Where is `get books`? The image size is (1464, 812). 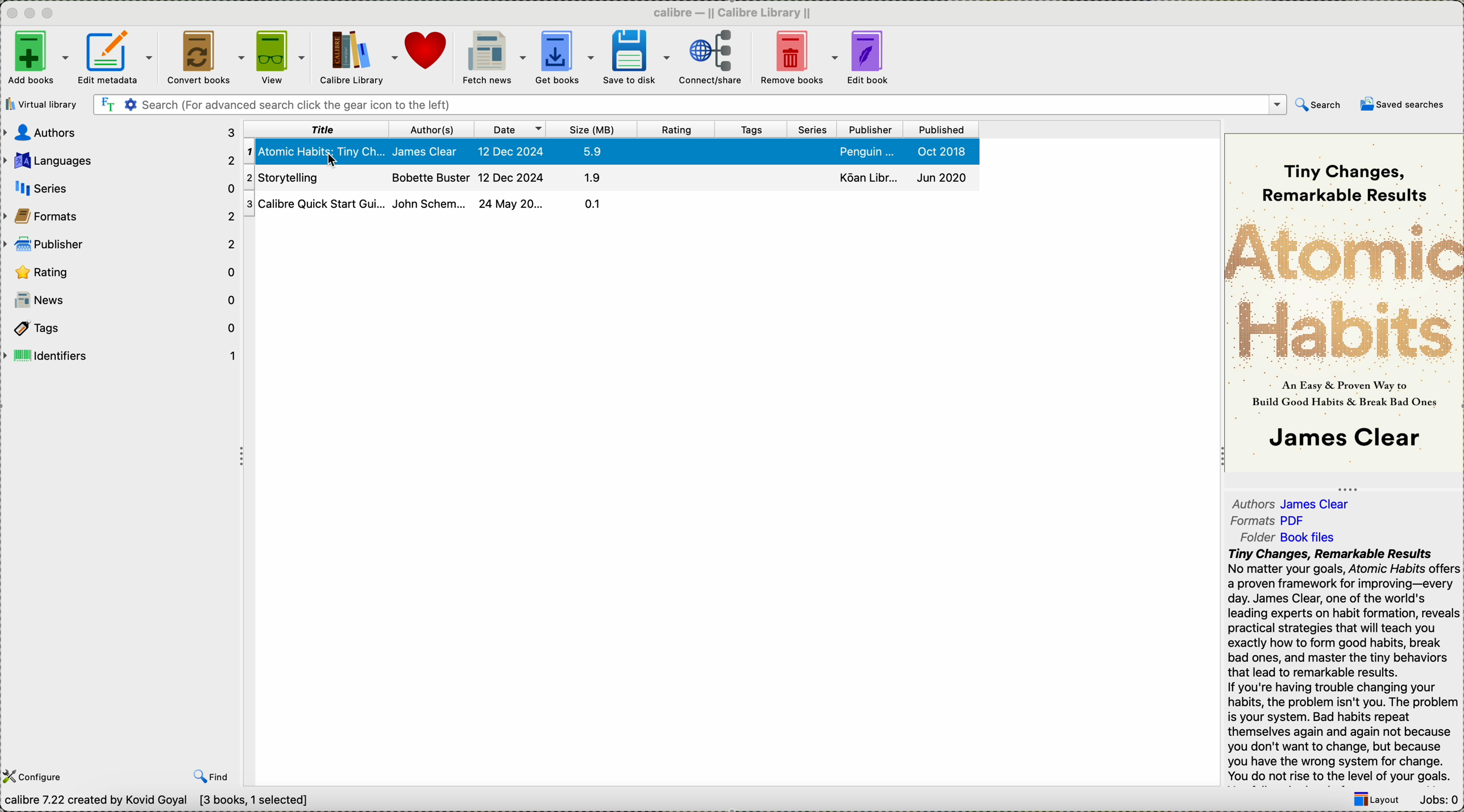
get books is located at coordinates (564, 59).